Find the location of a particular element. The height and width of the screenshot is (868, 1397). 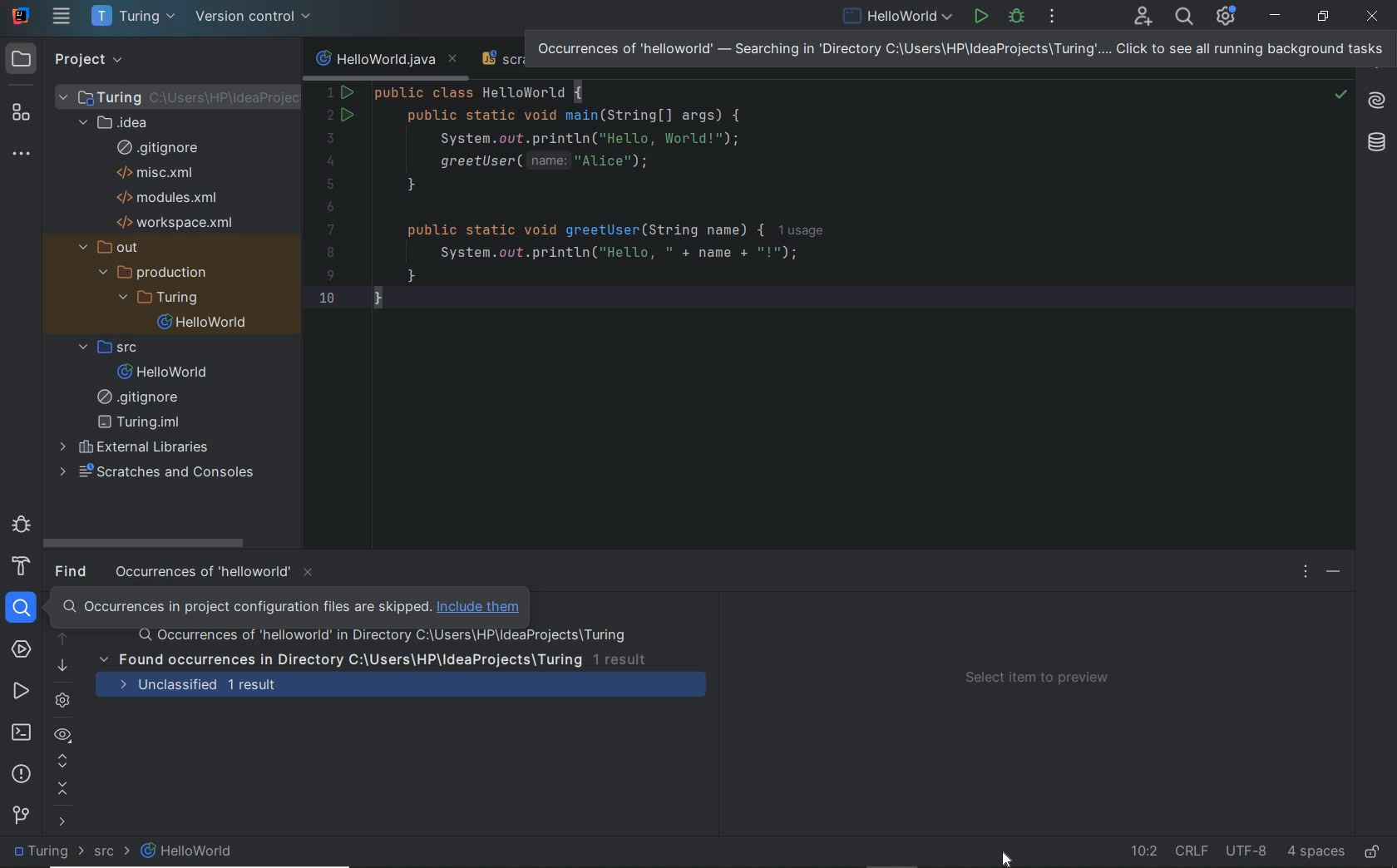

occurrences of 'helloworld' is located at coordinates (217, 574).